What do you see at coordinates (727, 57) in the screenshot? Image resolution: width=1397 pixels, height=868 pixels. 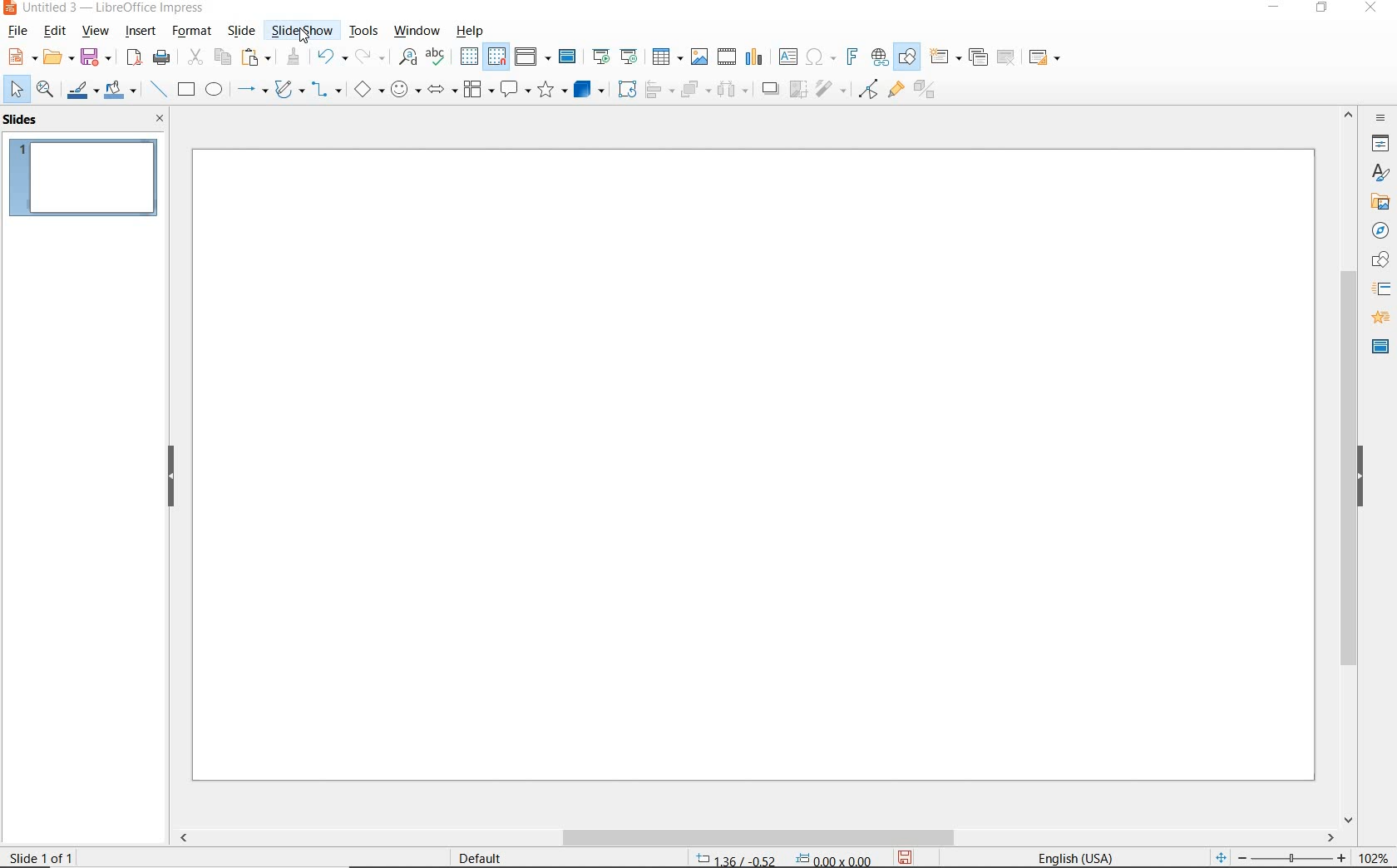 I see `INSERT VIDEO` at bounding box center [727, 57].